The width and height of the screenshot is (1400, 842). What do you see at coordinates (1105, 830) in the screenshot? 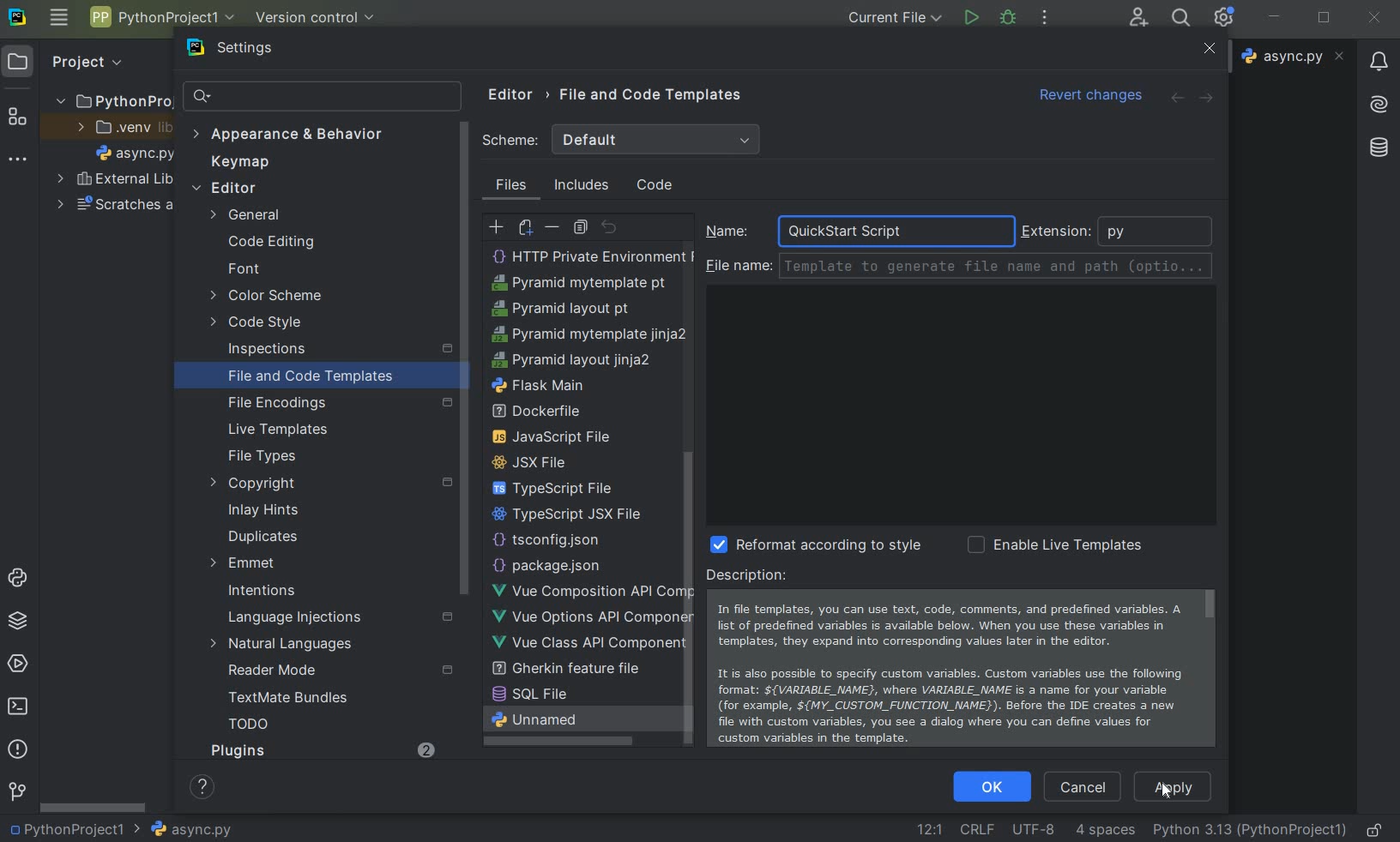
I see `indent` at bounding box center [1105, 830].